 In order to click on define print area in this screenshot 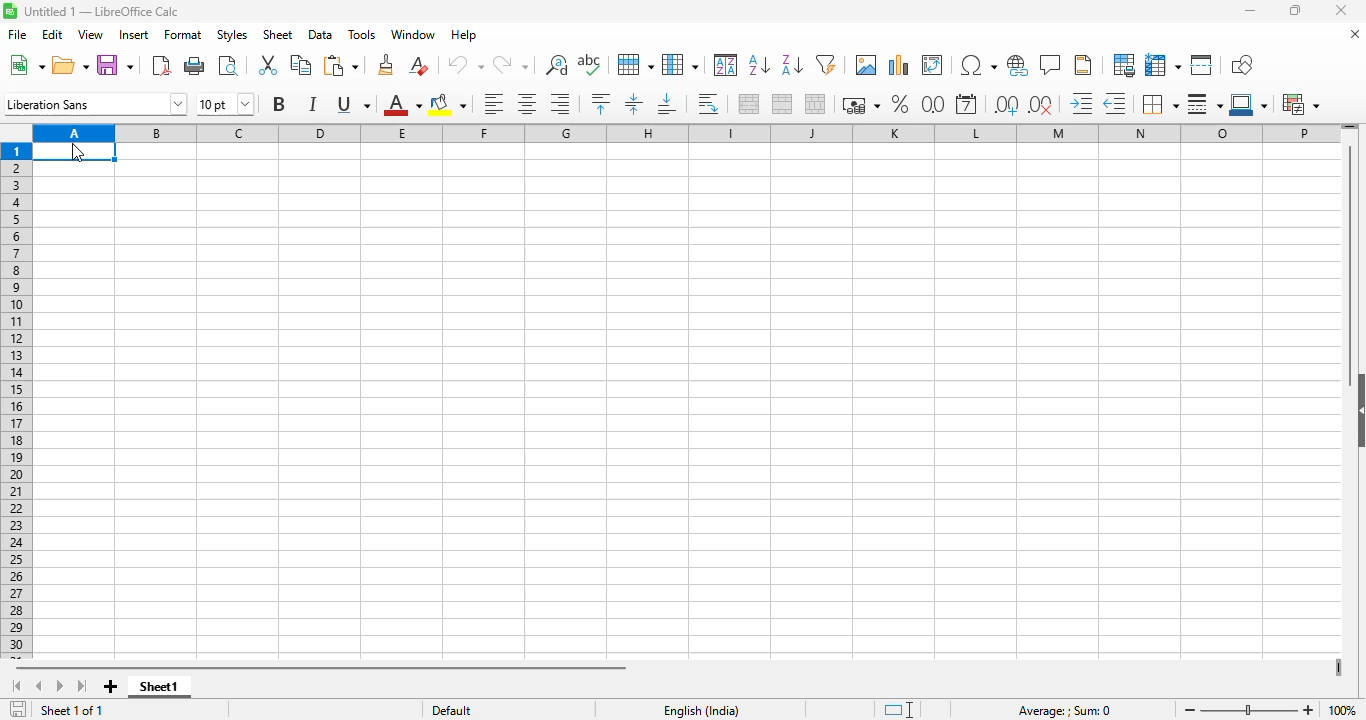, I will do `click(1123, 64)`.